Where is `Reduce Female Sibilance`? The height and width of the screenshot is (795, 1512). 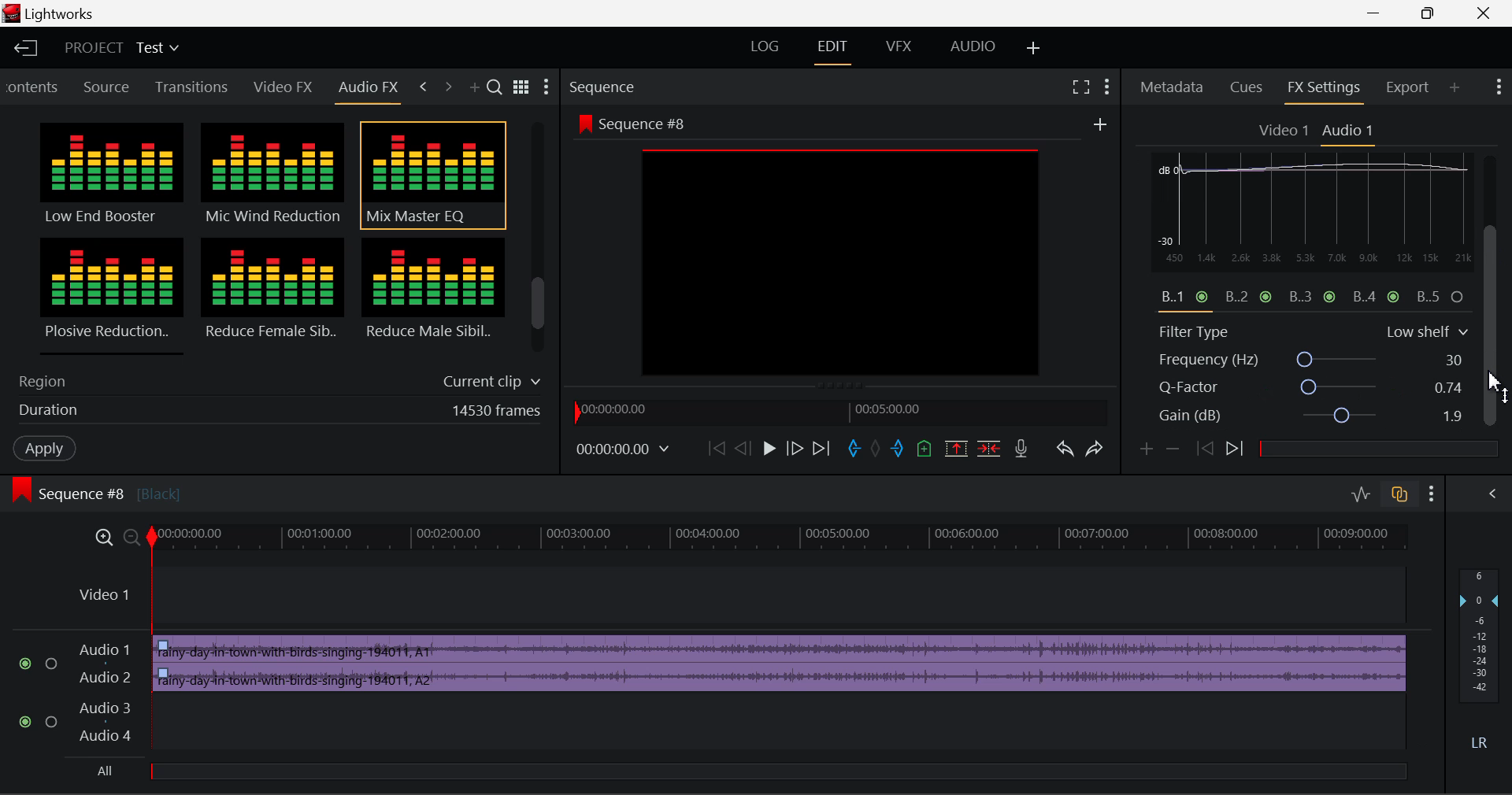 Reduce Female Sibilance is located at coordinates (273, 296).